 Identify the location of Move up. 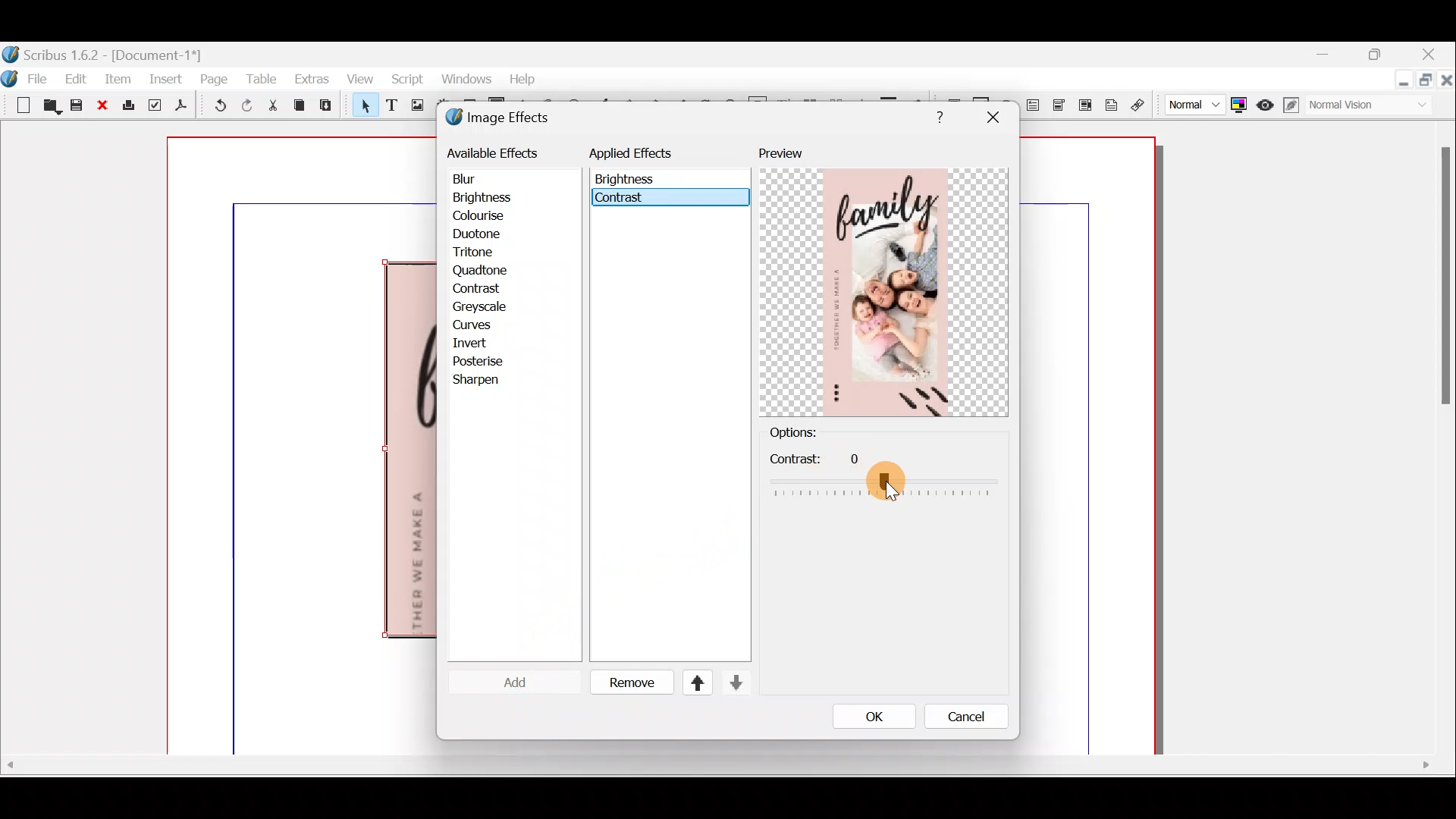
(691, 682).